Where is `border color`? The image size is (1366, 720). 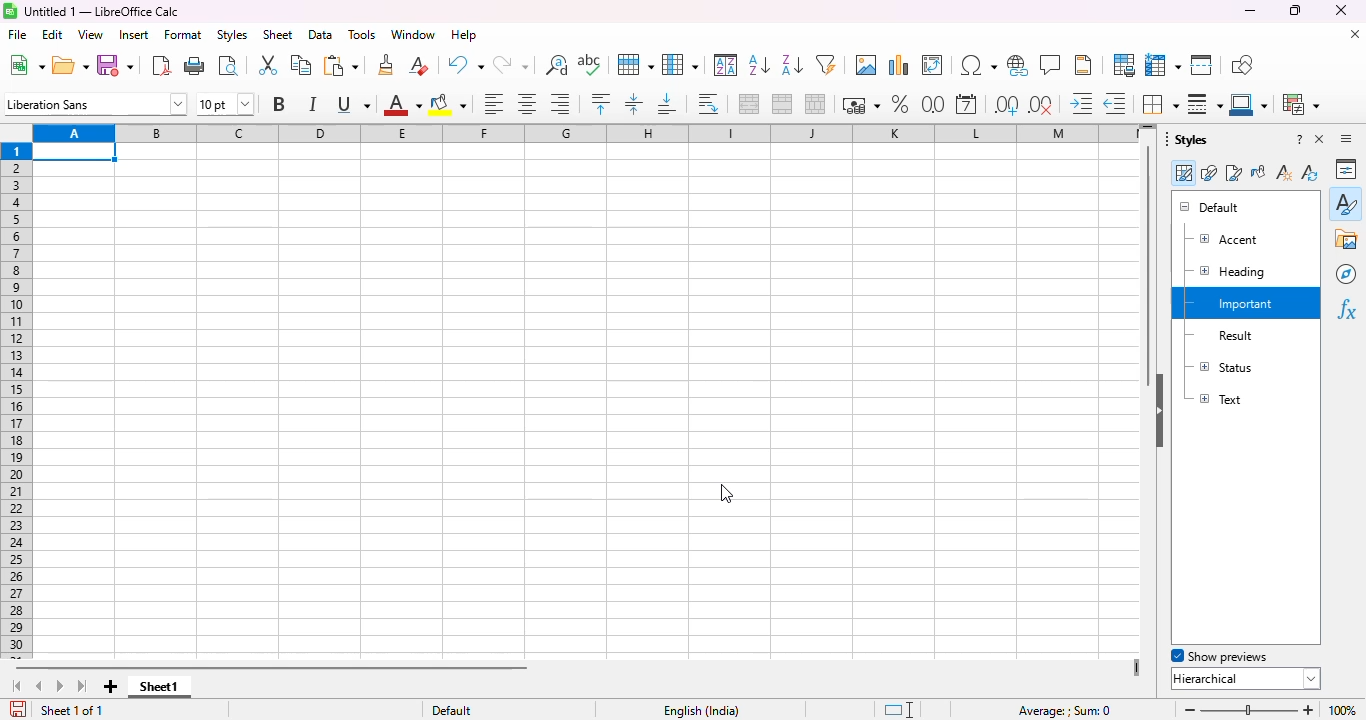
border color is located at coordinates (1250, 104).